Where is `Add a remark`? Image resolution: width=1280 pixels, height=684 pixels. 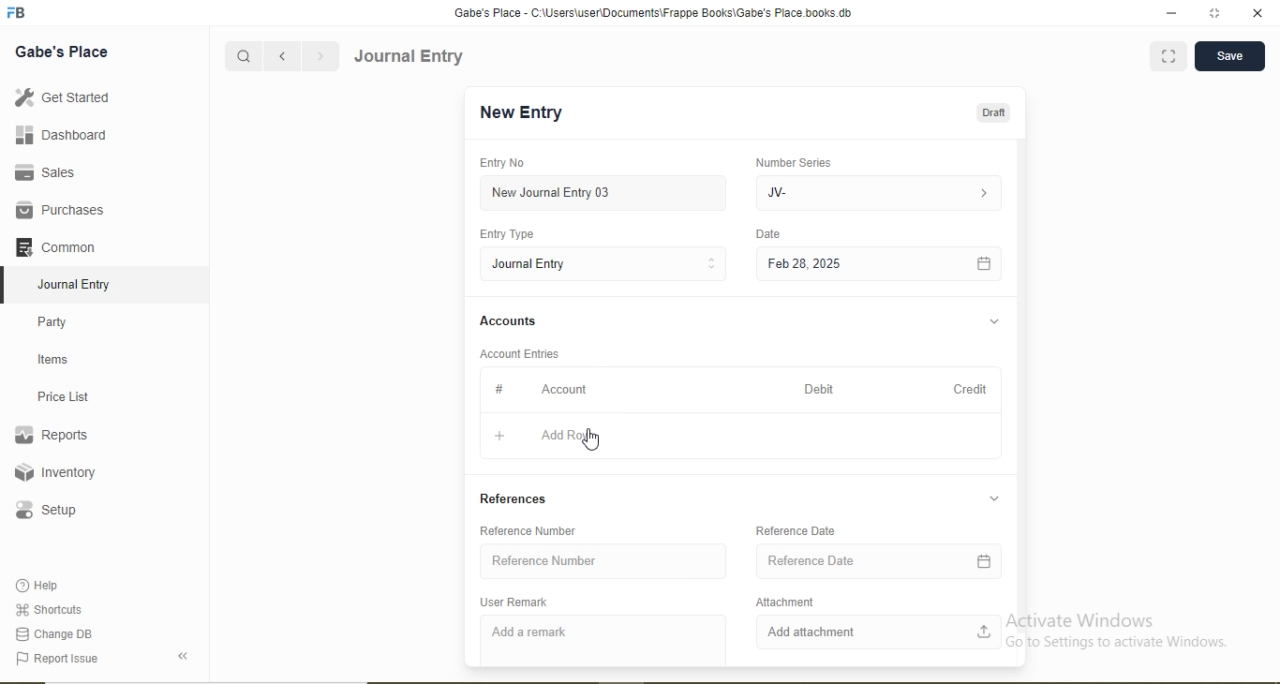 Add a remark is located at coordinates (528, 632).